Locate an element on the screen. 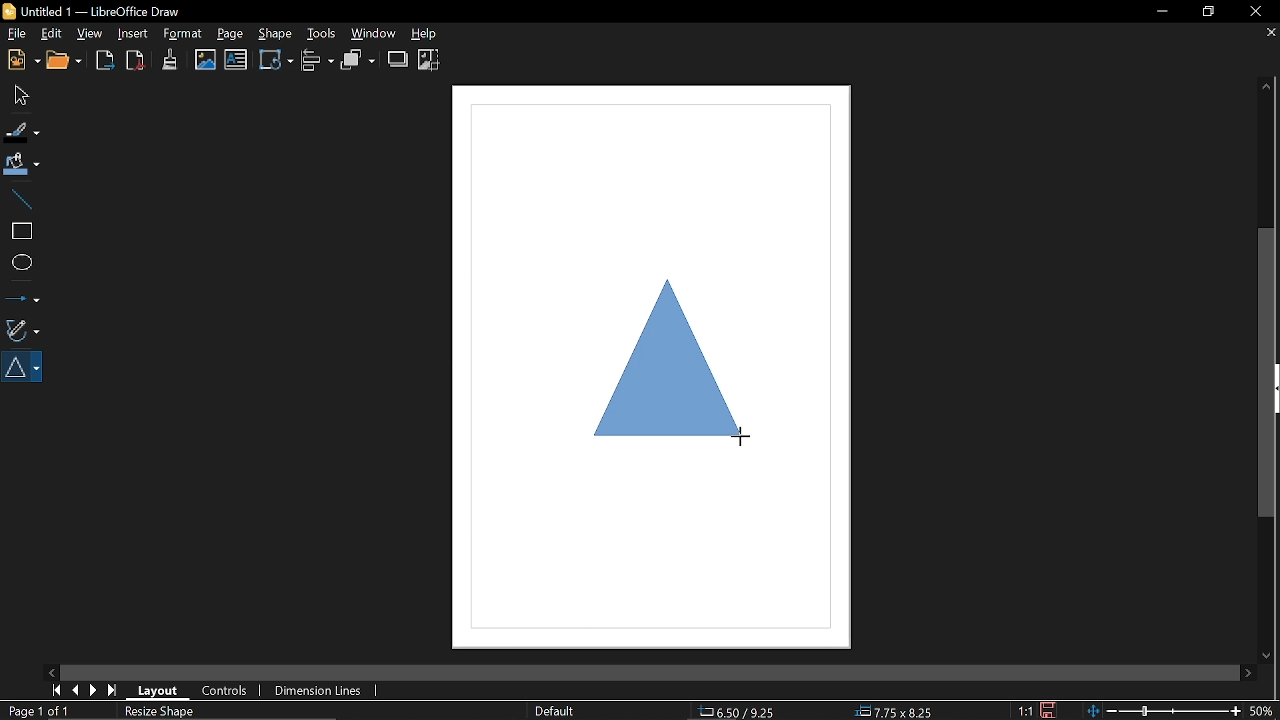  New is located at coordinates (21, 61).